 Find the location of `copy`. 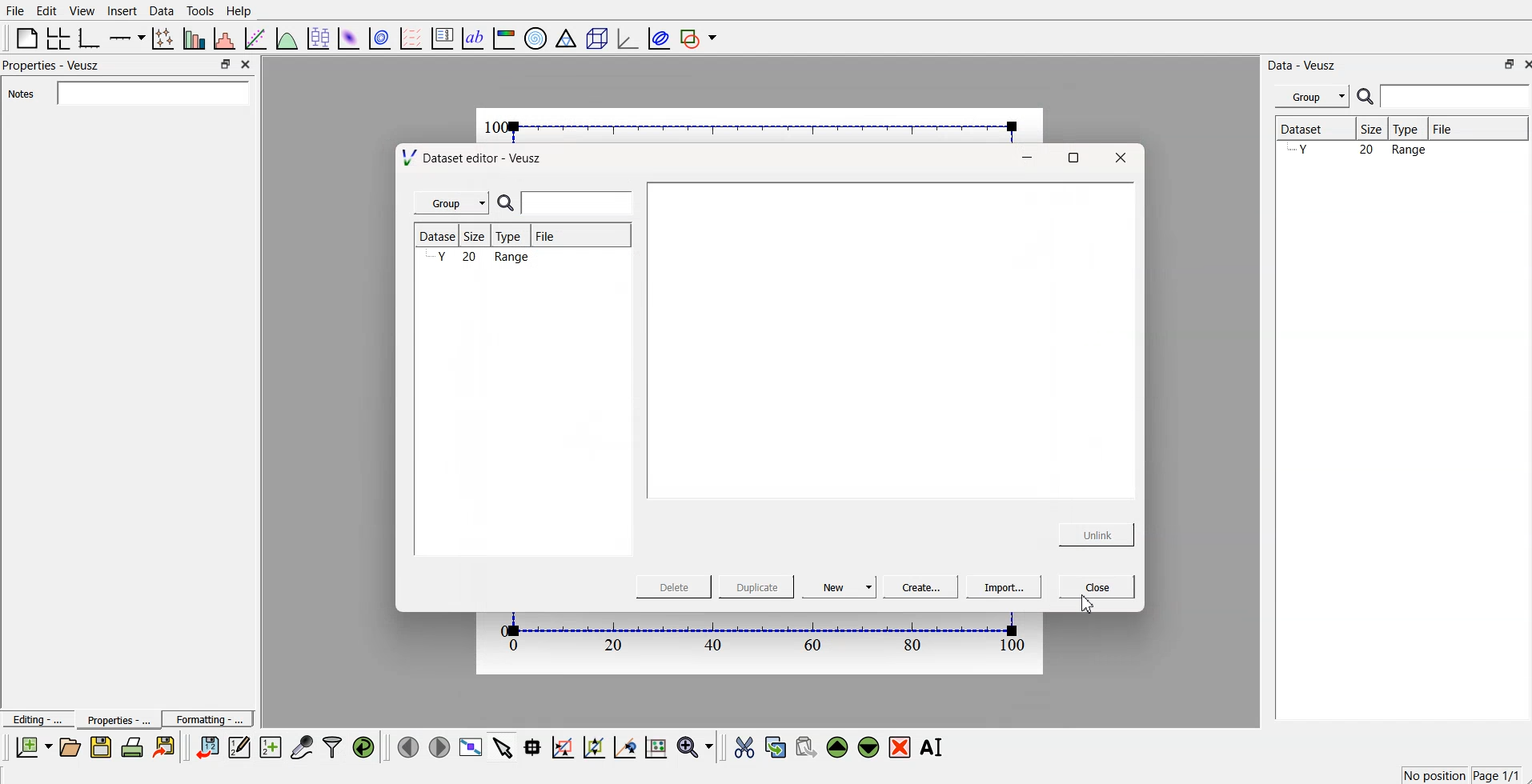

copy is located at coordinates (777, 744).